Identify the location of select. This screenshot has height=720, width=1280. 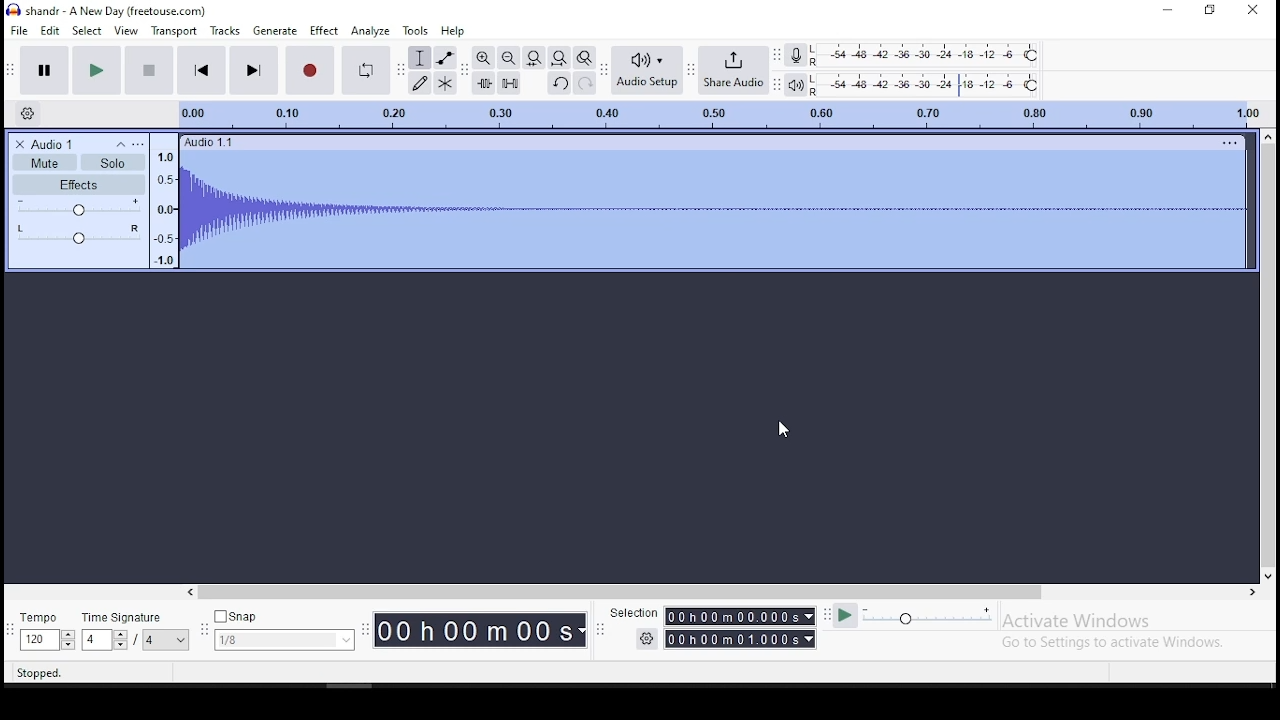
(89, 32).